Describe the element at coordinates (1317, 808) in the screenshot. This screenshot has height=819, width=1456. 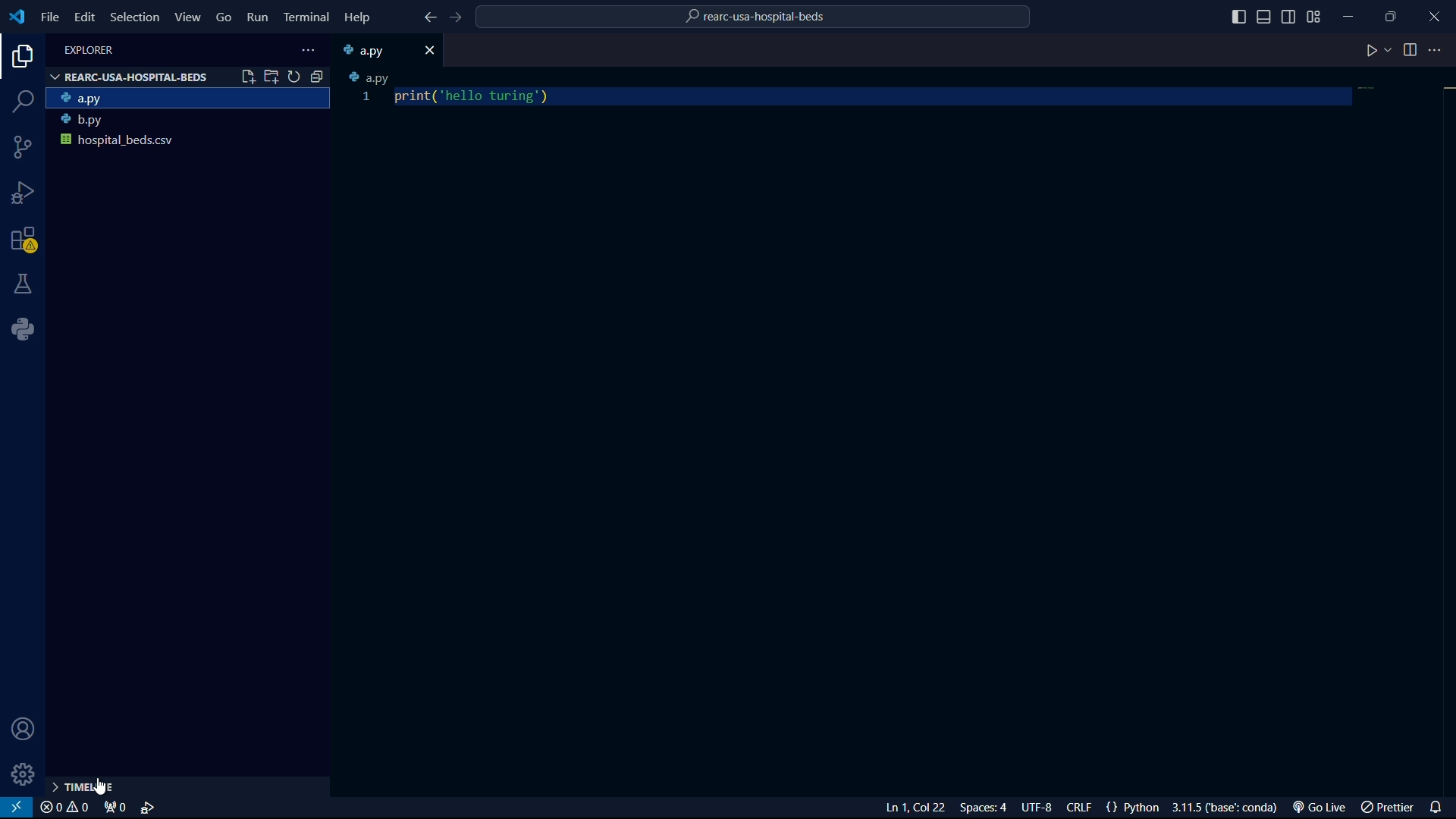
I see `go live extension` at that location.